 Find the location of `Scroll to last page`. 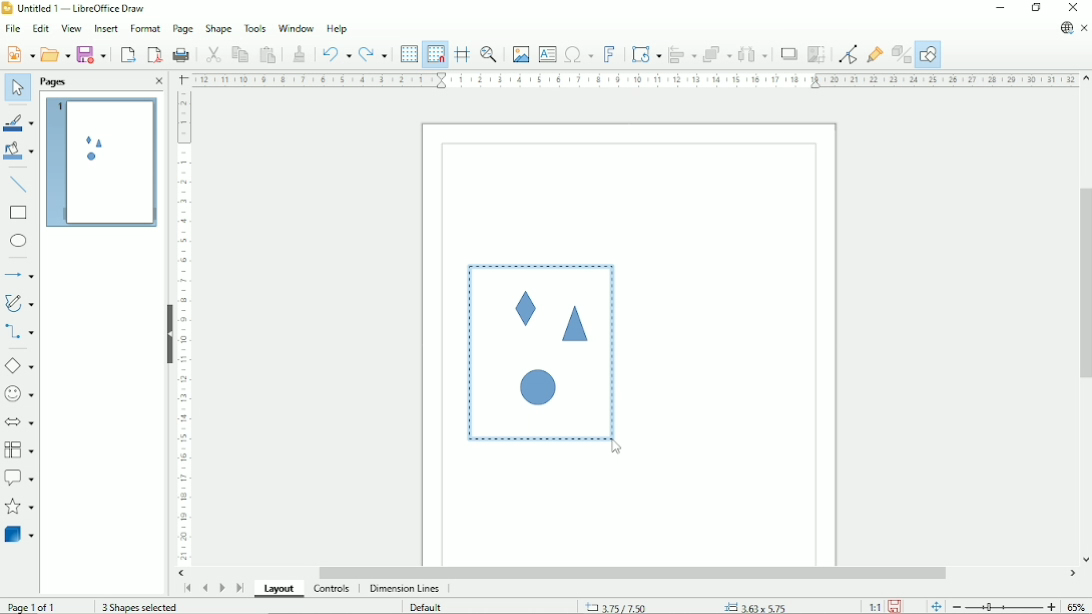

Scroll to last page is located at coordinates (240, 588).